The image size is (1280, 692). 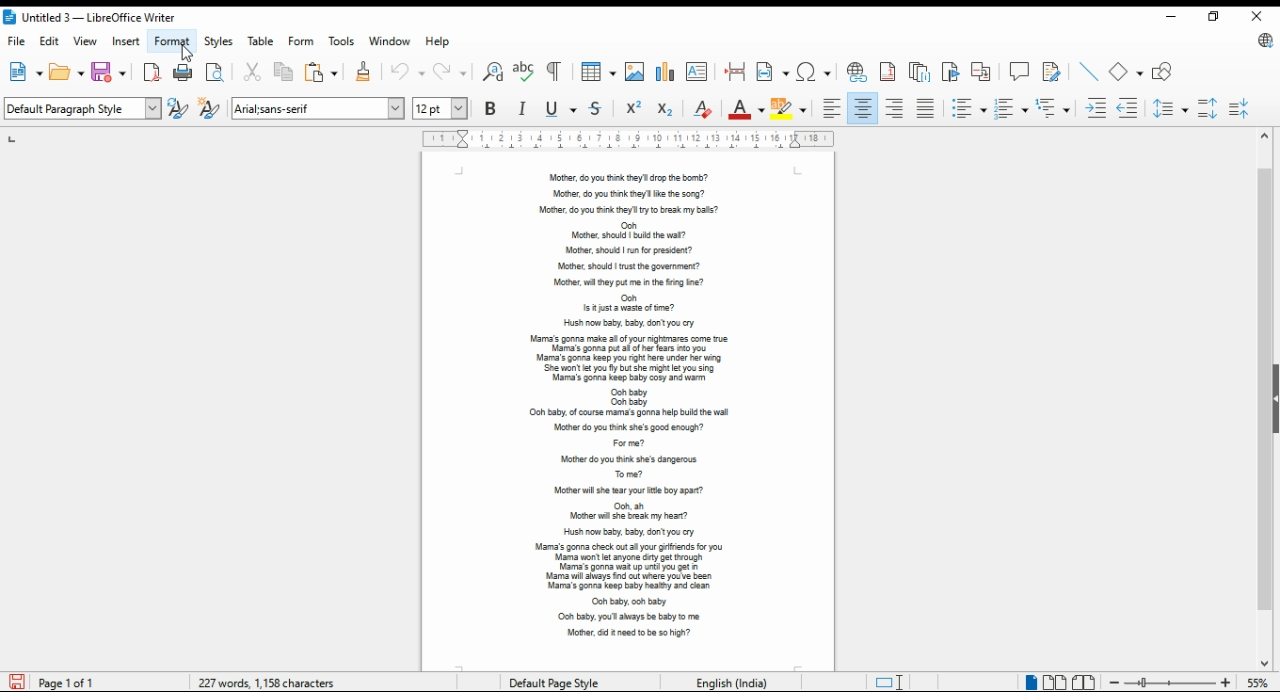 What do you see at coordinates (84, 108) in the screenshot?
I see `select paragraph style` at bounding box center [84, 108].